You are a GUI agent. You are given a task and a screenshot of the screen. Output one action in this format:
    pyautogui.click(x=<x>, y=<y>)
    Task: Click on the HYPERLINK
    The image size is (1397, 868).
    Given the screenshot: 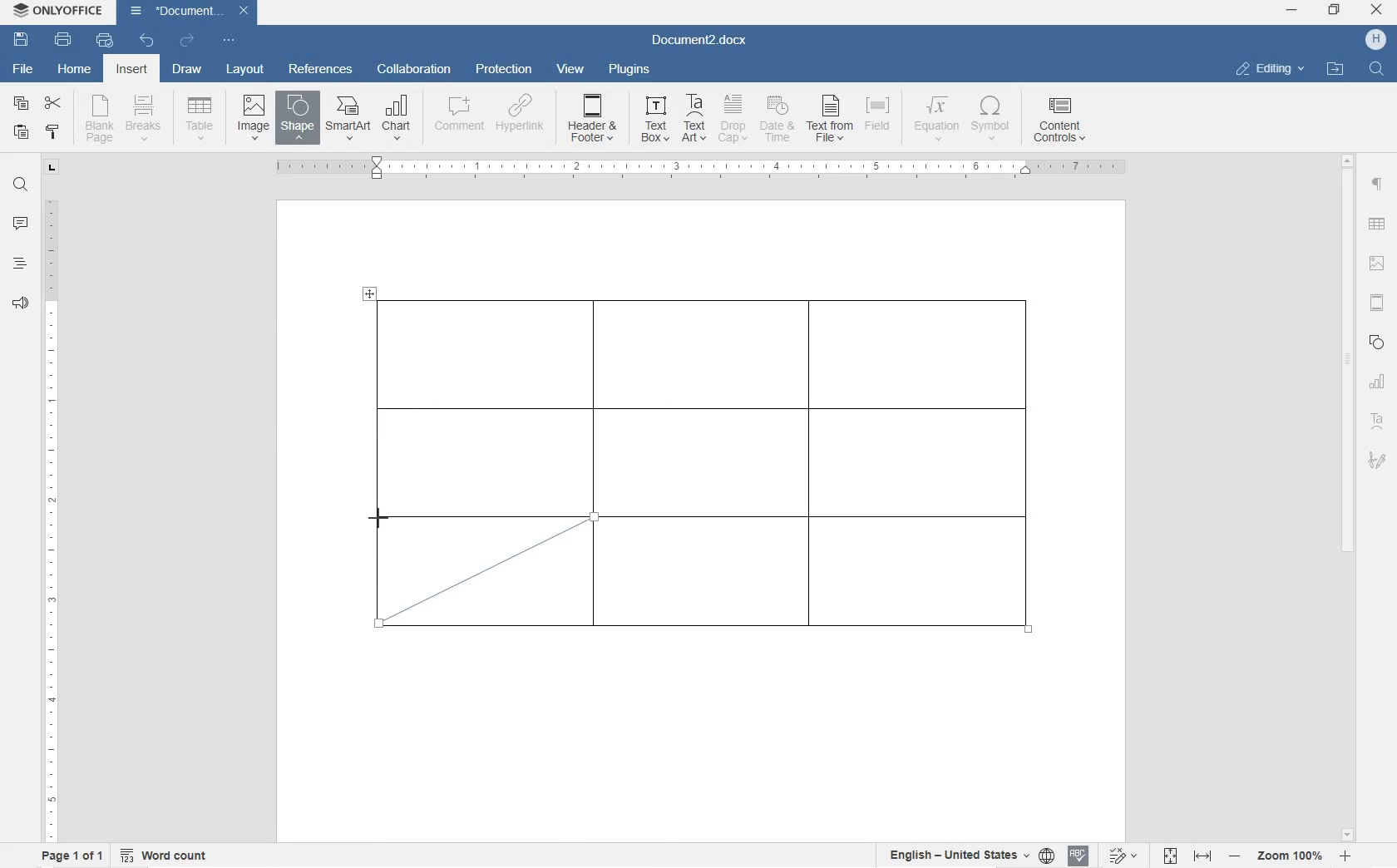 What is the action you would take?
    pyautogui.click(x=521, y=119)
    